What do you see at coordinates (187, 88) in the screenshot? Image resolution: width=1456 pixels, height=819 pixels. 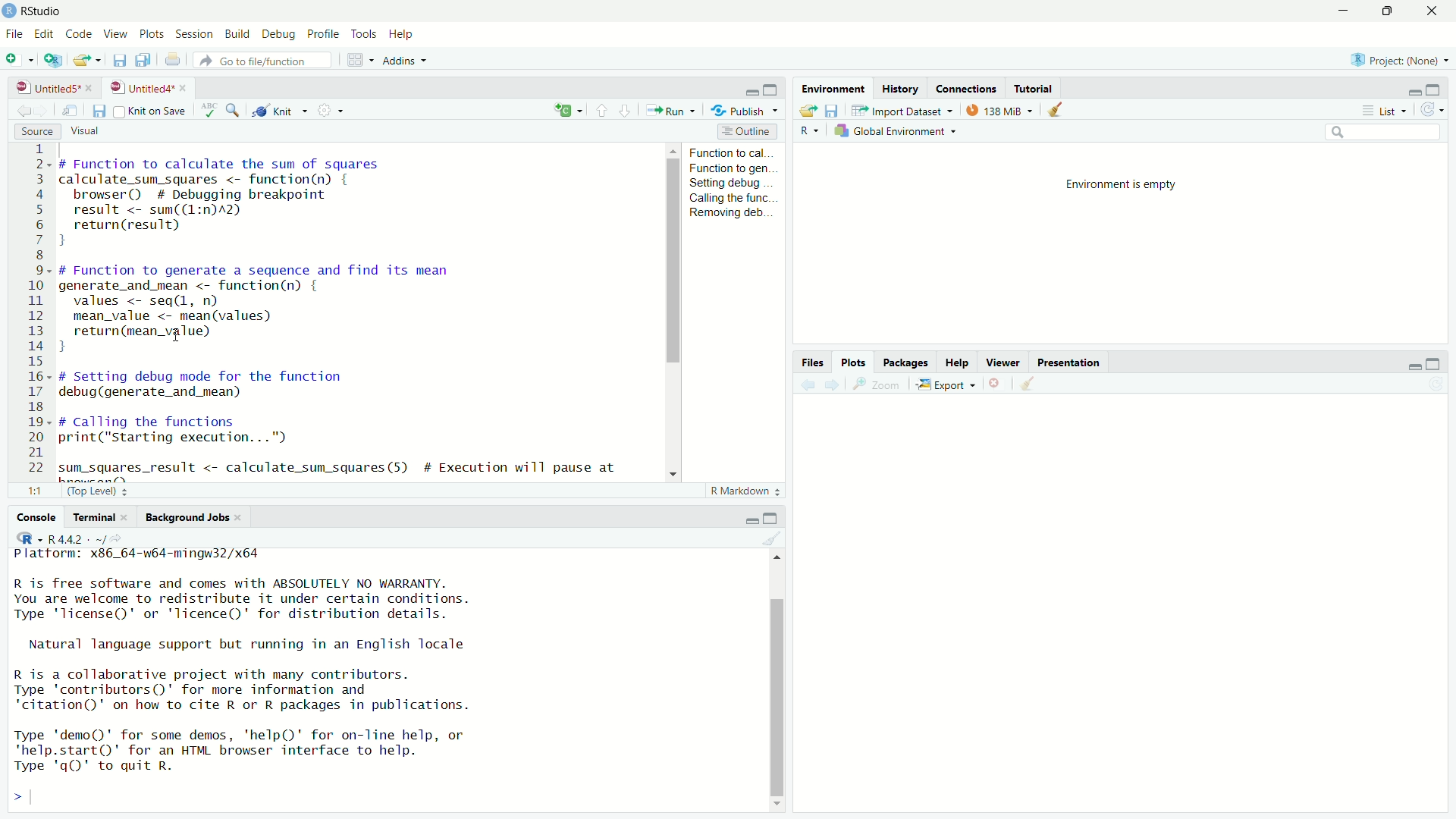 I see `close` at bounding box center [187, 88].